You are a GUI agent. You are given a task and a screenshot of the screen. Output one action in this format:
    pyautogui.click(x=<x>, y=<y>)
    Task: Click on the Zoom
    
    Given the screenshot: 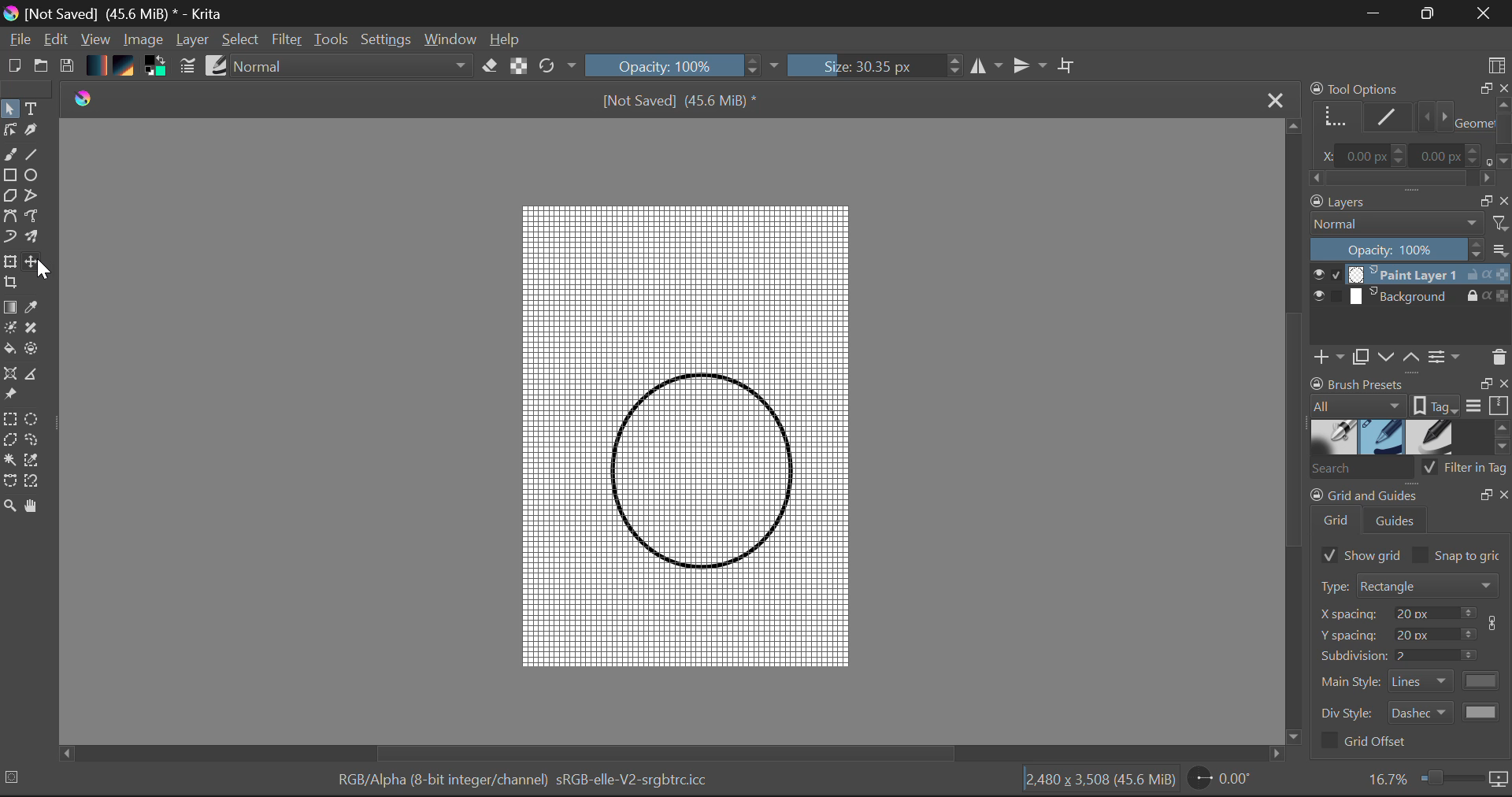 What is the action you would take?
    pyautogui.click(x=1436, y=780)
    